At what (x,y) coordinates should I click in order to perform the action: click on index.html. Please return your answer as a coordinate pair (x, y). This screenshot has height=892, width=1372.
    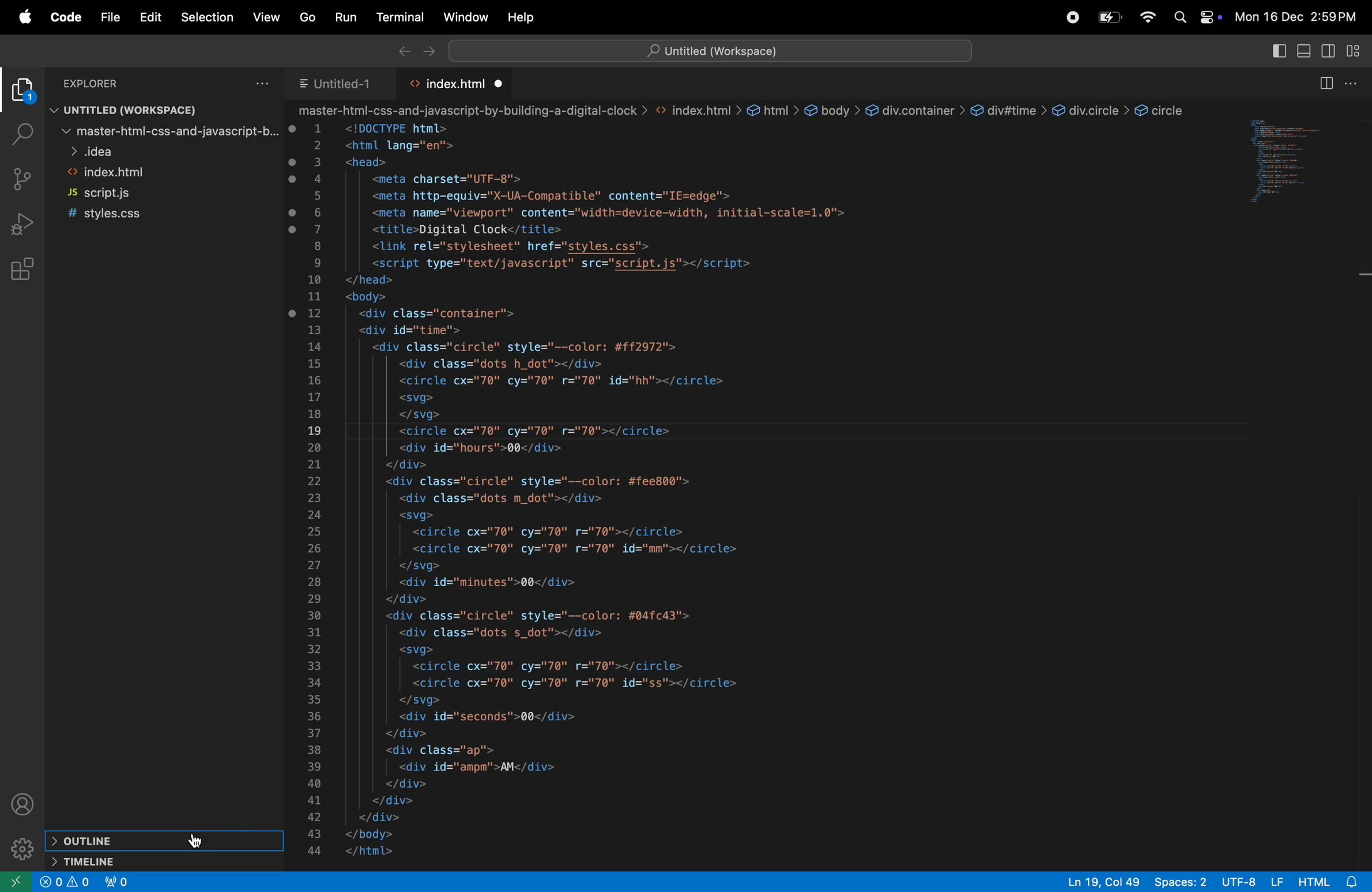
    Looking at the image, I should click on (148, 171).